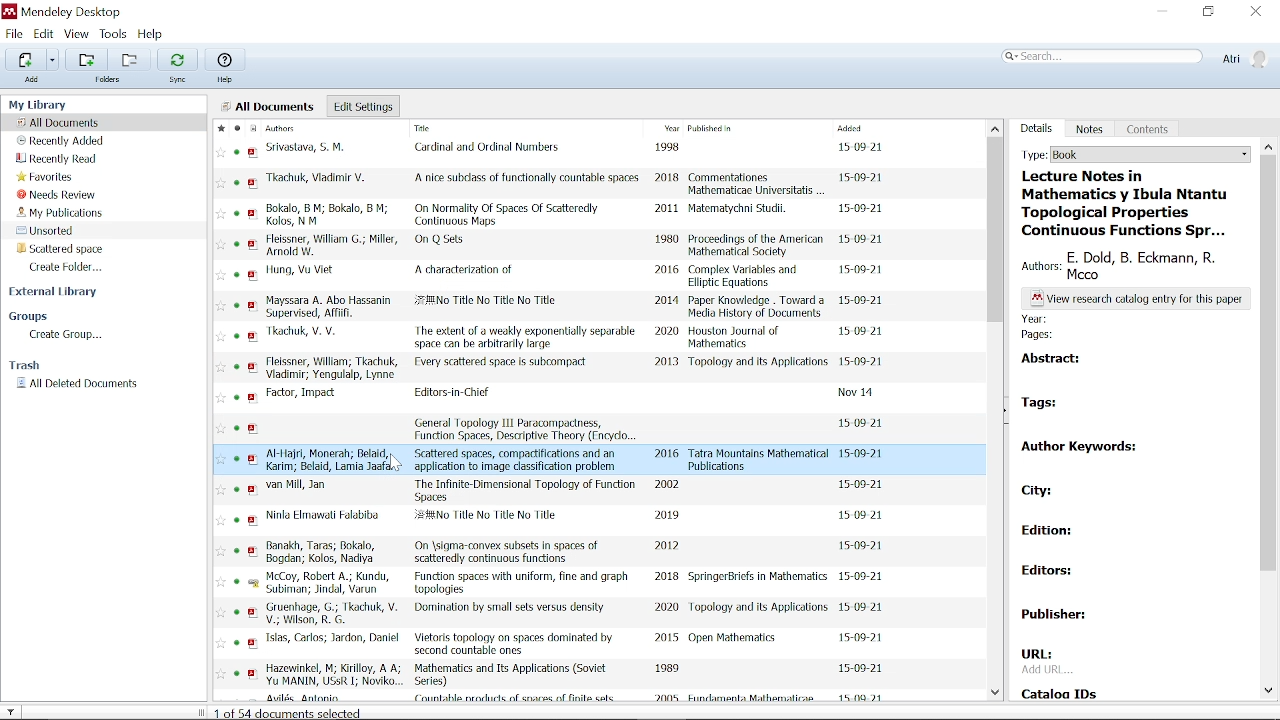 This screenshot has height=720, width=1280. I want to click on title, so click(492, 519).